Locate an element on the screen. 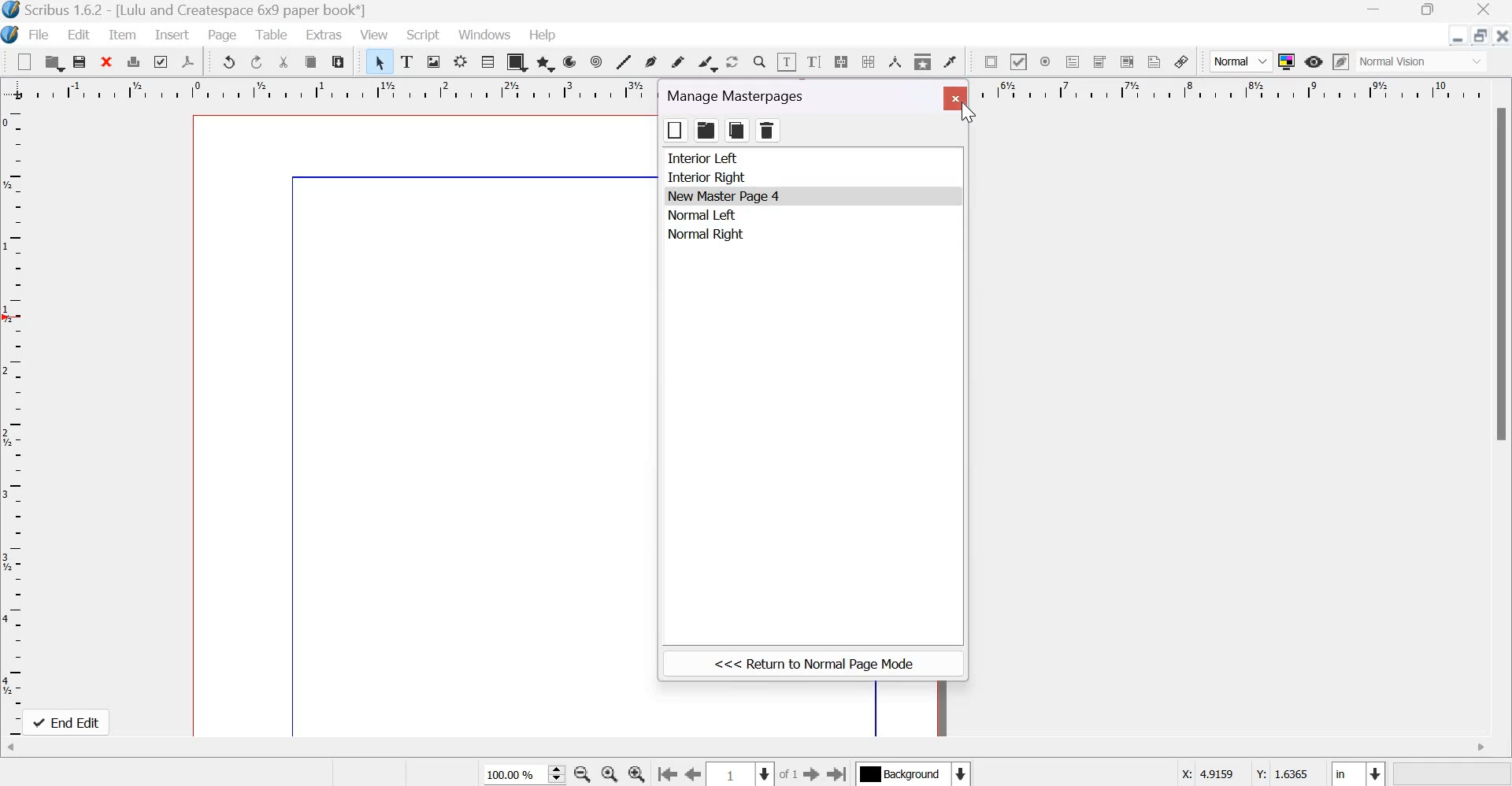 The image size is (1512, 786). redo is located at coordinates (257, 61).